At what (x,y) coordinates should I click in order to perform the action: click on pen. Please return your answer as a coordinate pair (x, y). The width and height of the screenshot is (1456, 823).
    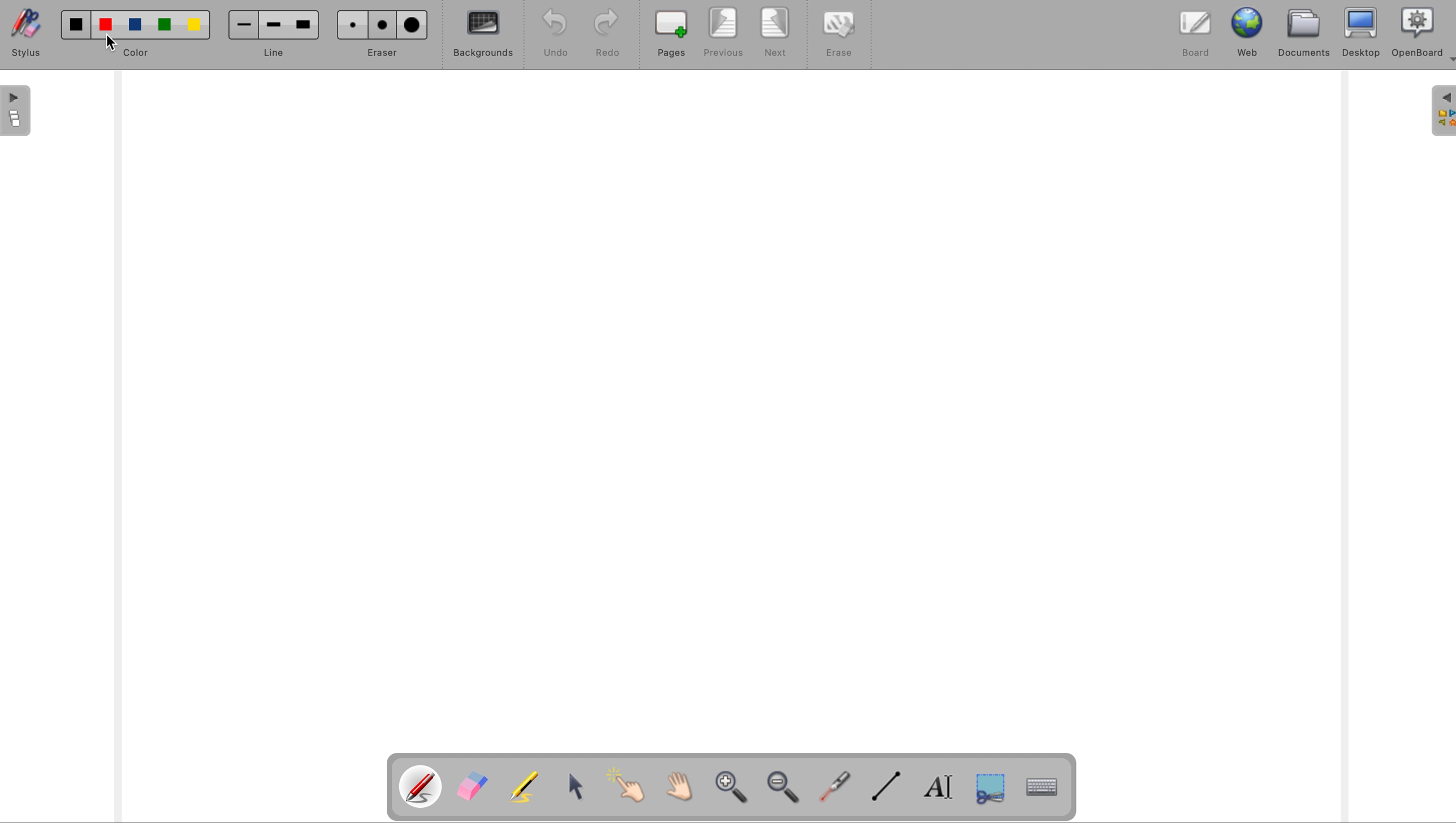
    Looking at the image, I should click on (421, 787).